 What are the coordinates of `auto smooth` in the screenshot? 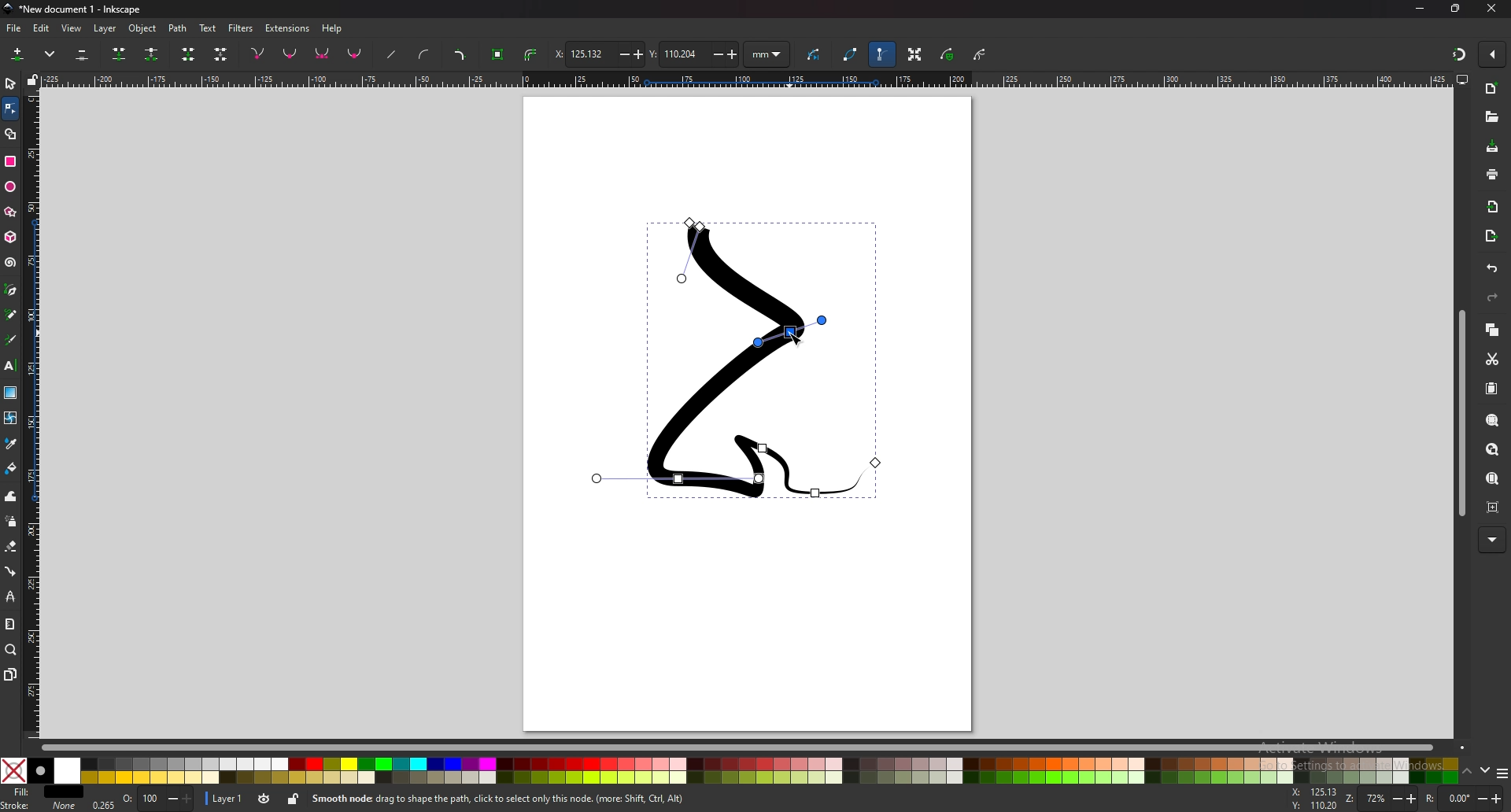 It's located at (355, 54).